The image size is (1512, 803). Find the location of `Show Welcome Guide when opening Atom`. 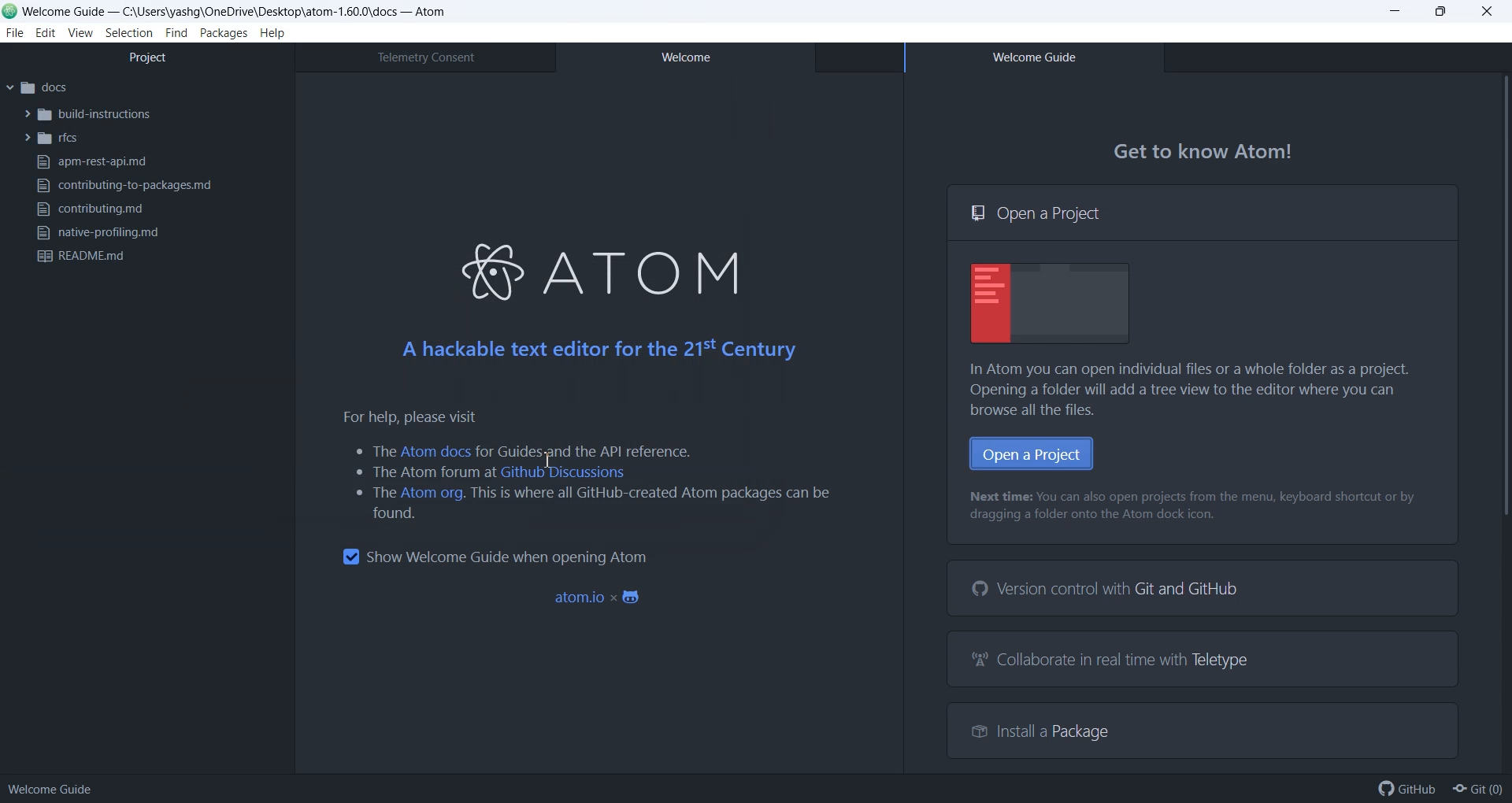

Show Welcome Guide when opening Atom is located at coordinates (494, 557).